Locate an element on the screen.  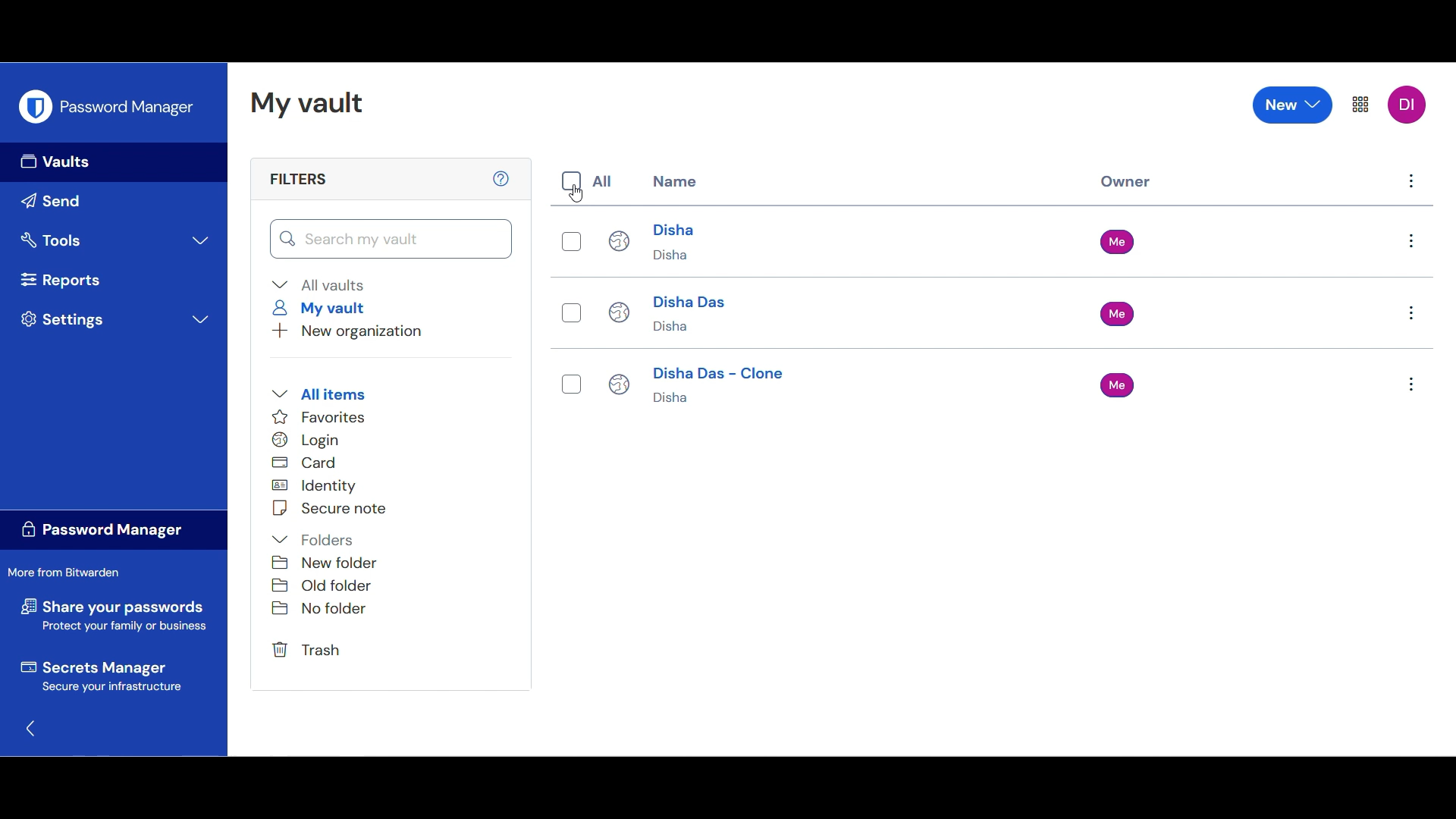
Settings for each item respectively is located at coordinates (1412, 240).